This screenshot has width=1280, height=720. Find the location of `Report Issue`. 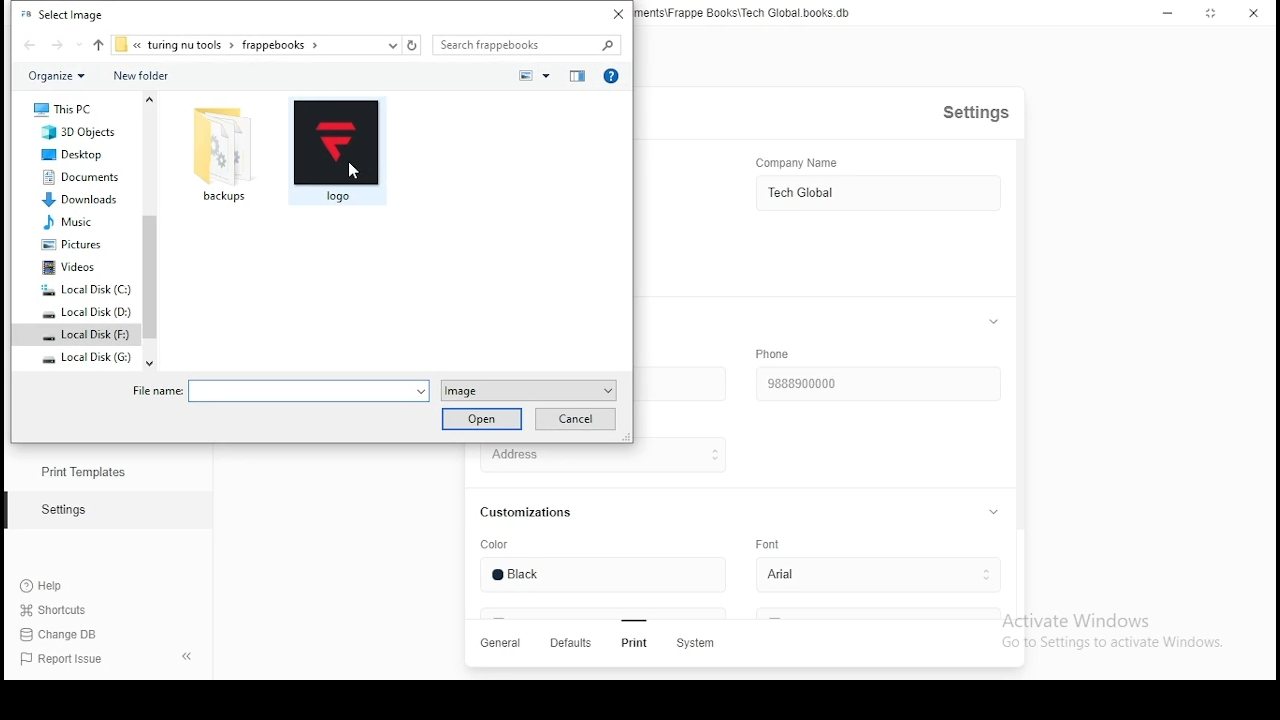

Report Issue is located at coordinates (63, 662).